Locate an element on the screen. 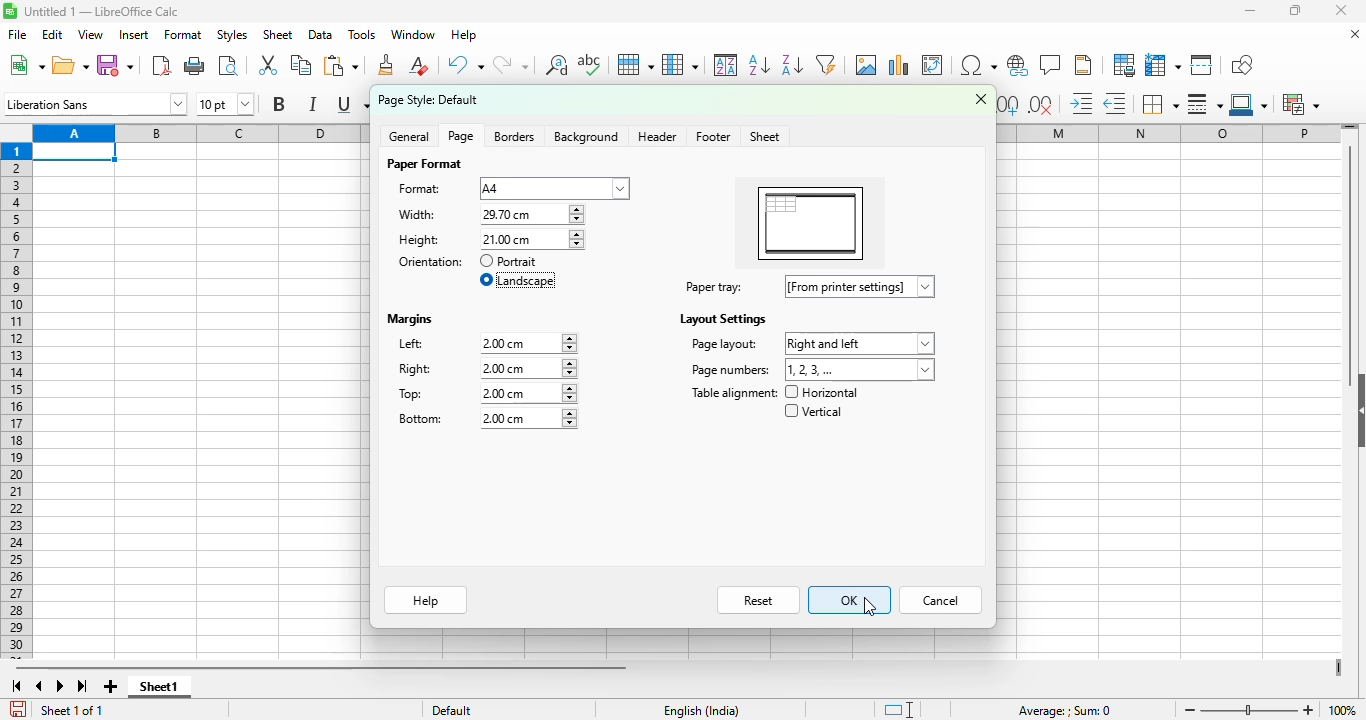 This screenshot has height=720, width=1366. right:  is located at coordinates (416, 369).